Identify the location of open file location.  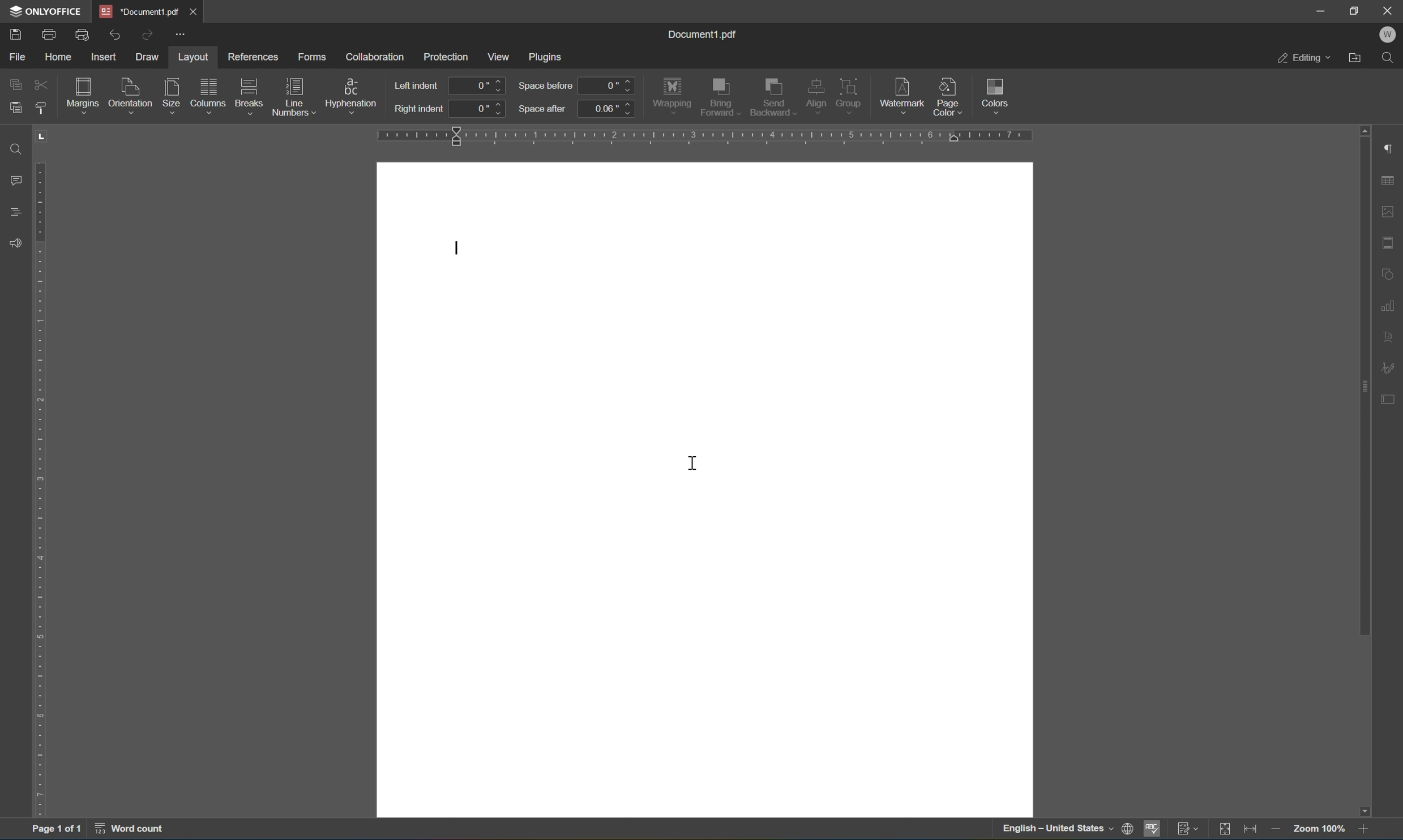
(1355, 58).